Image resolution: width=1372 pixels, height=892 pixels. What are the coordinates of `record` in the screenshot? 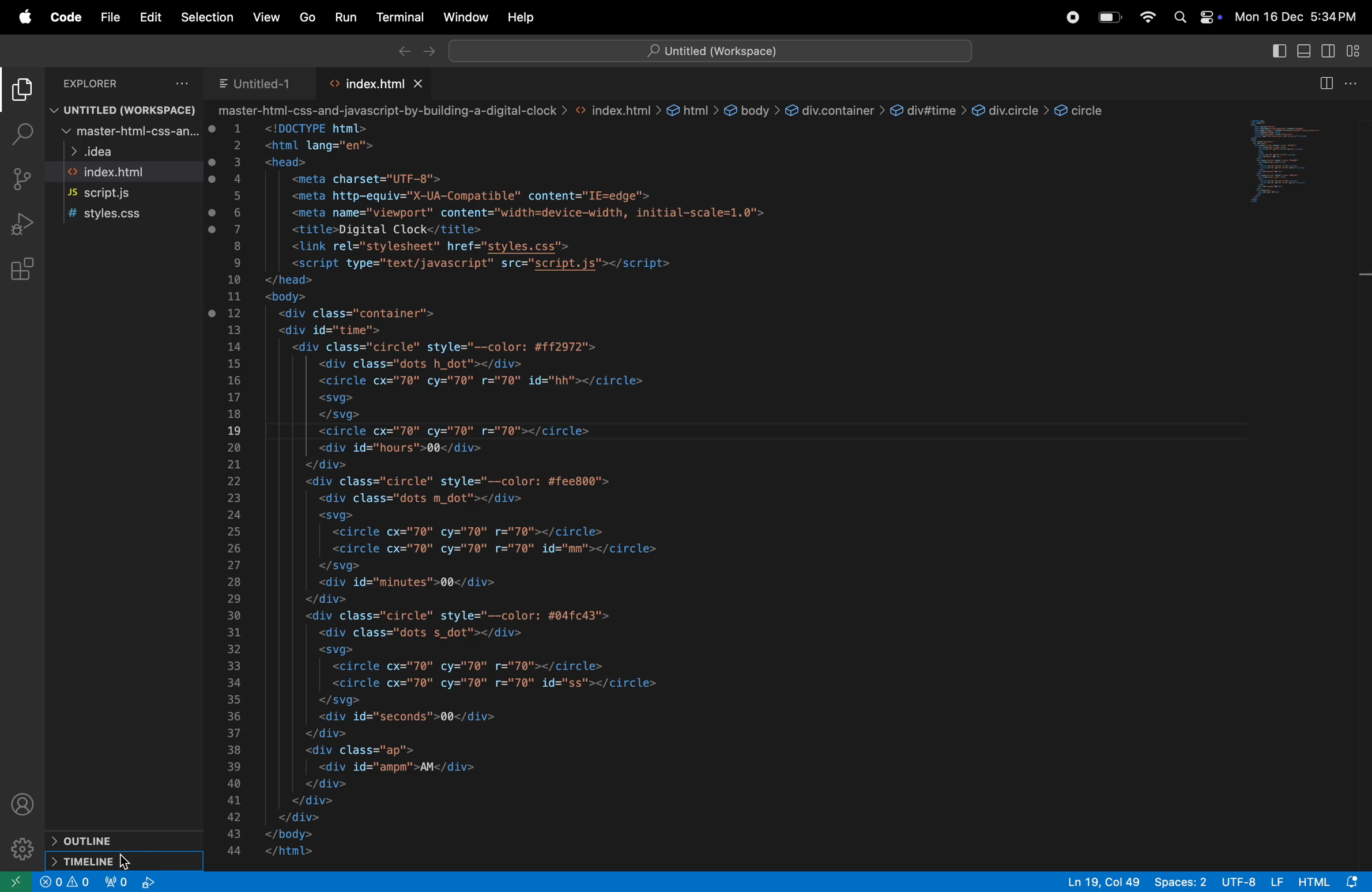 It's located at (1069, 17).